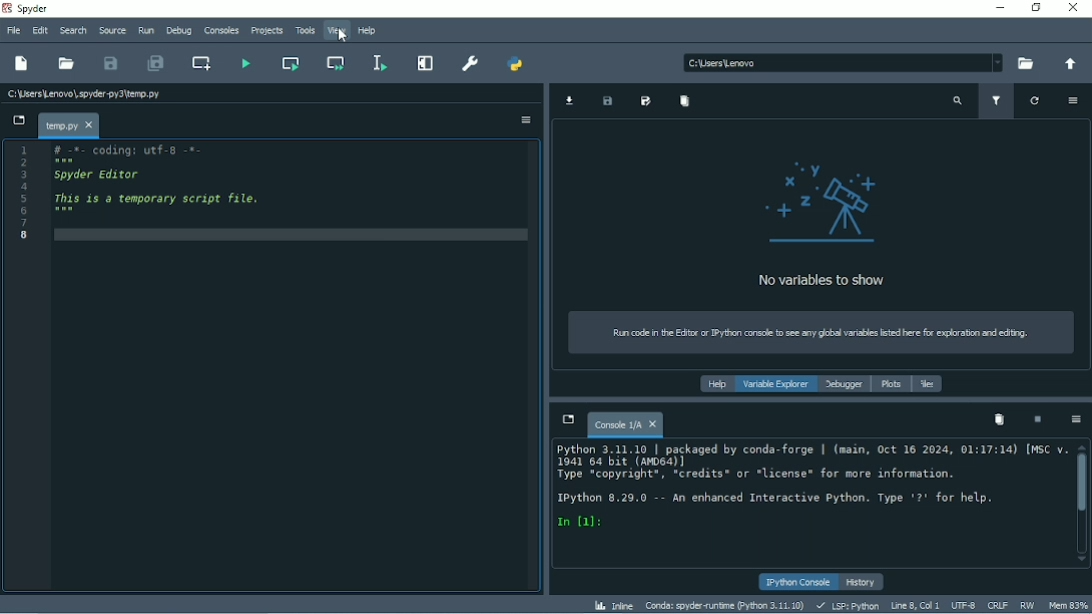 The height and width of the screenshot is (614, 1092). What do you see at coordinates (22, 64) in the screenshot?
I see `New file` at bounding box center [22, 64].